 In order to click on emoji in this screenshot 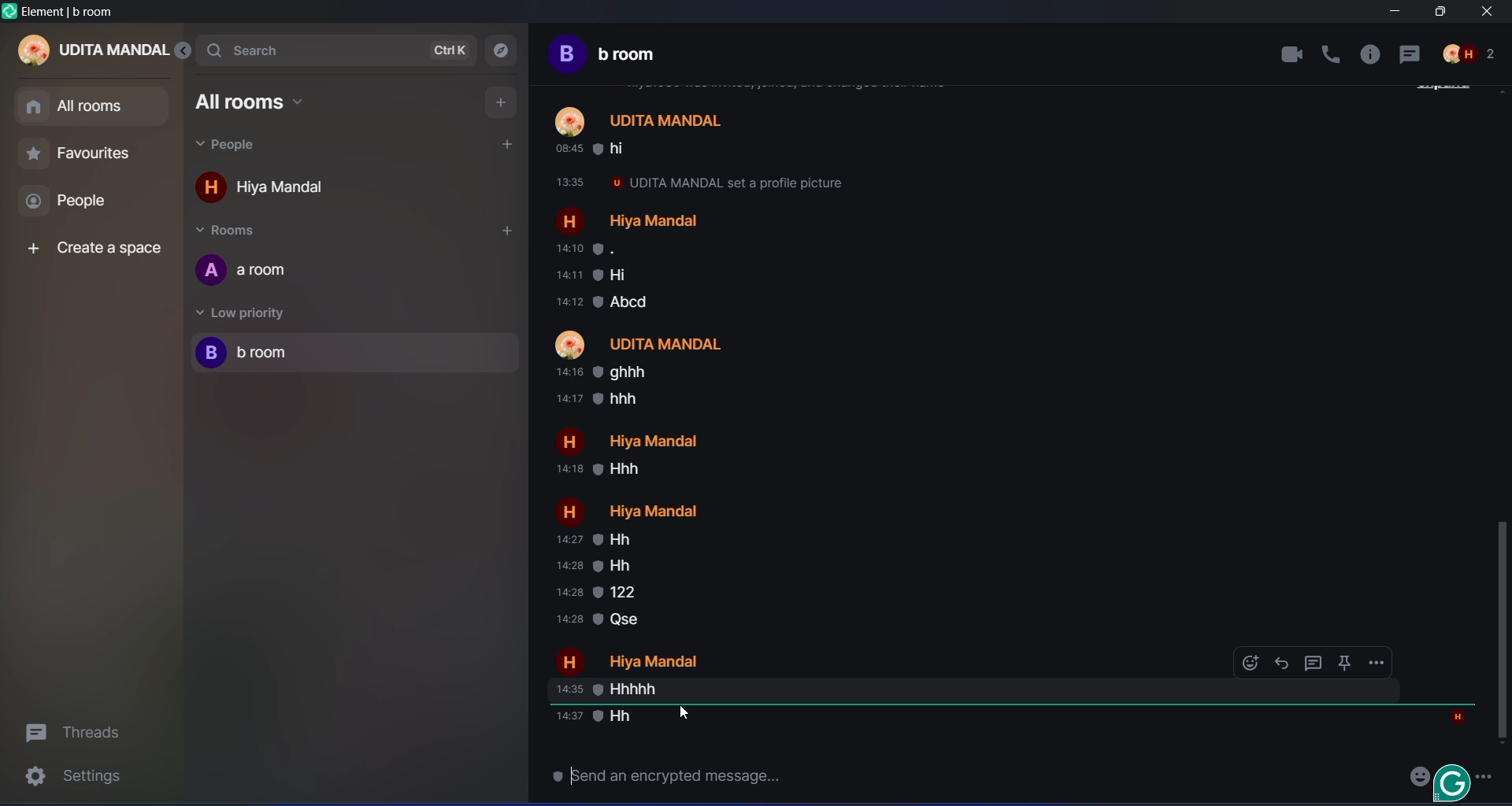, I will do `click(1414, 775)`.